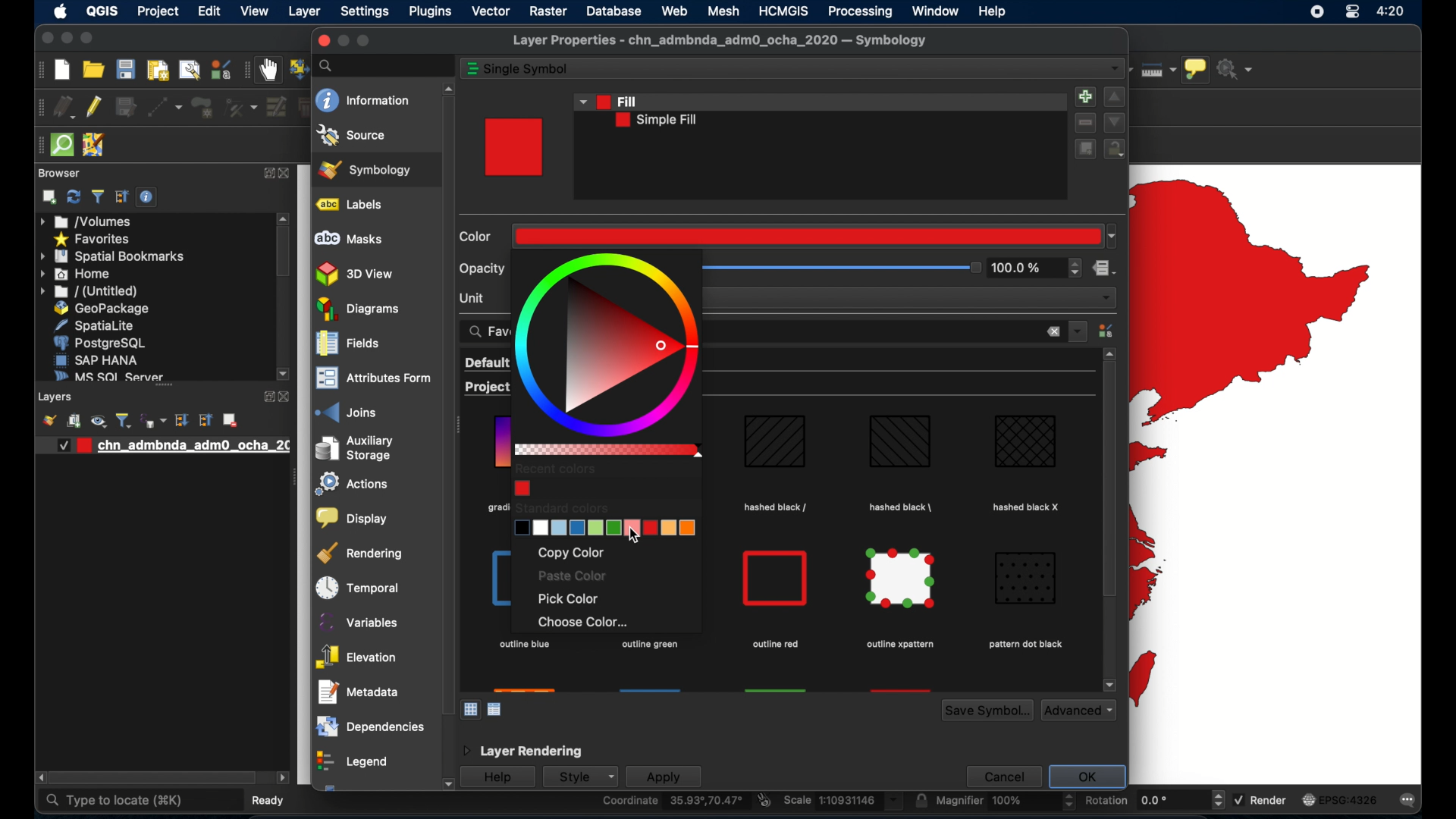  I want to click on elevation, so click(356, 657).